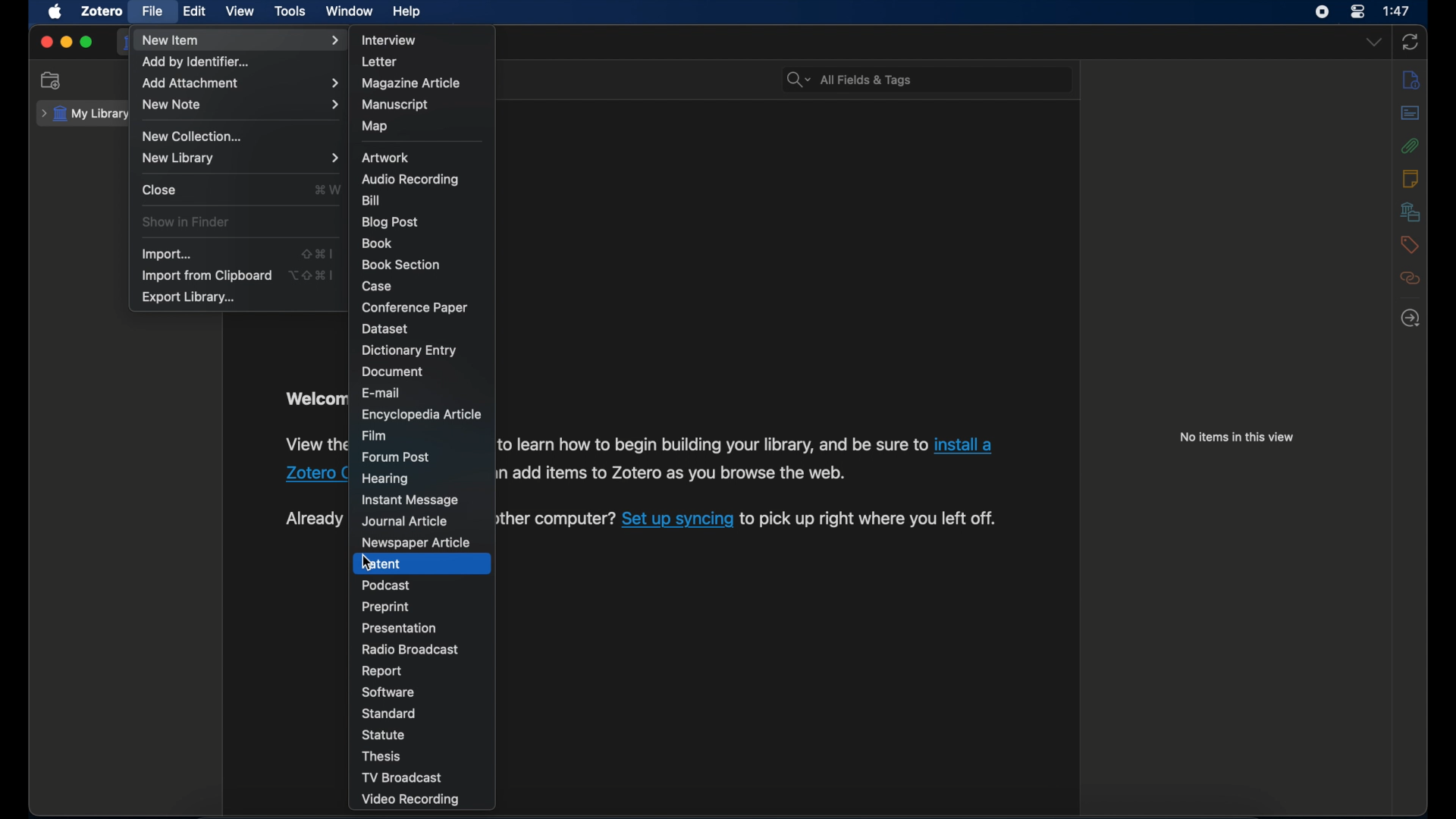 The height and width of the screenshot is (819, 1456). Describe the element at coordinates (290, 11) in the screenshot. I see `tools` at that location.